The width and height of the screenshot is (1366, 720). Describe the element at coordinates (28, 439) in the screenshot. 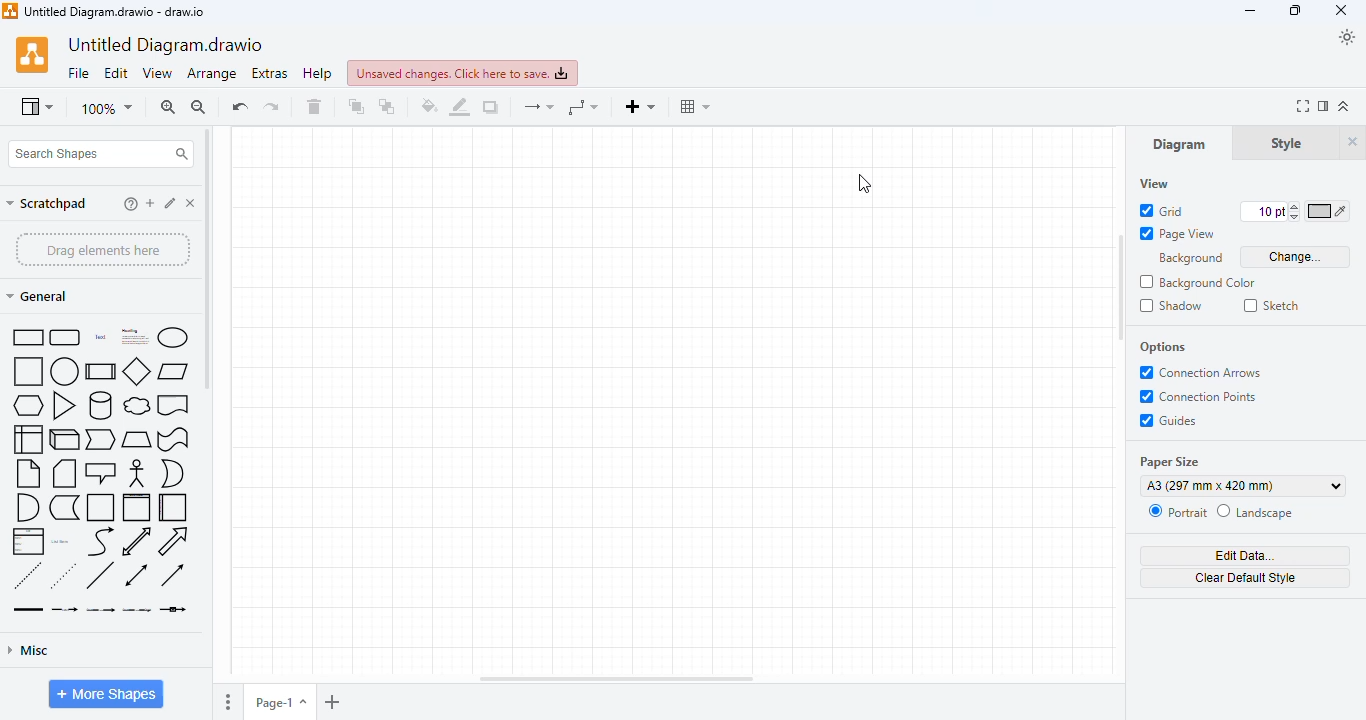

I see `internal storage` at that location.